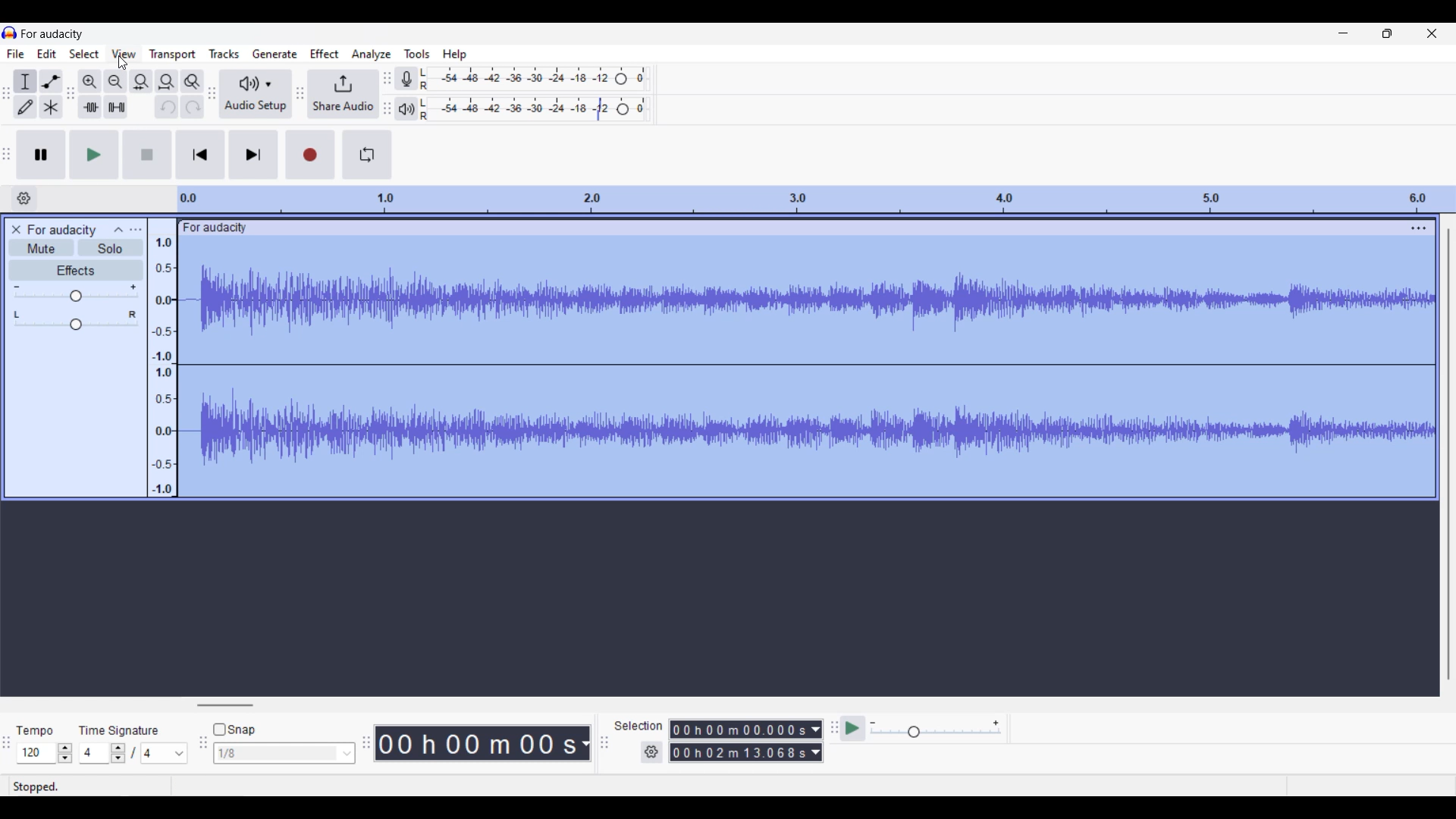  I want to click on Play/Play once, so click(93, 155).